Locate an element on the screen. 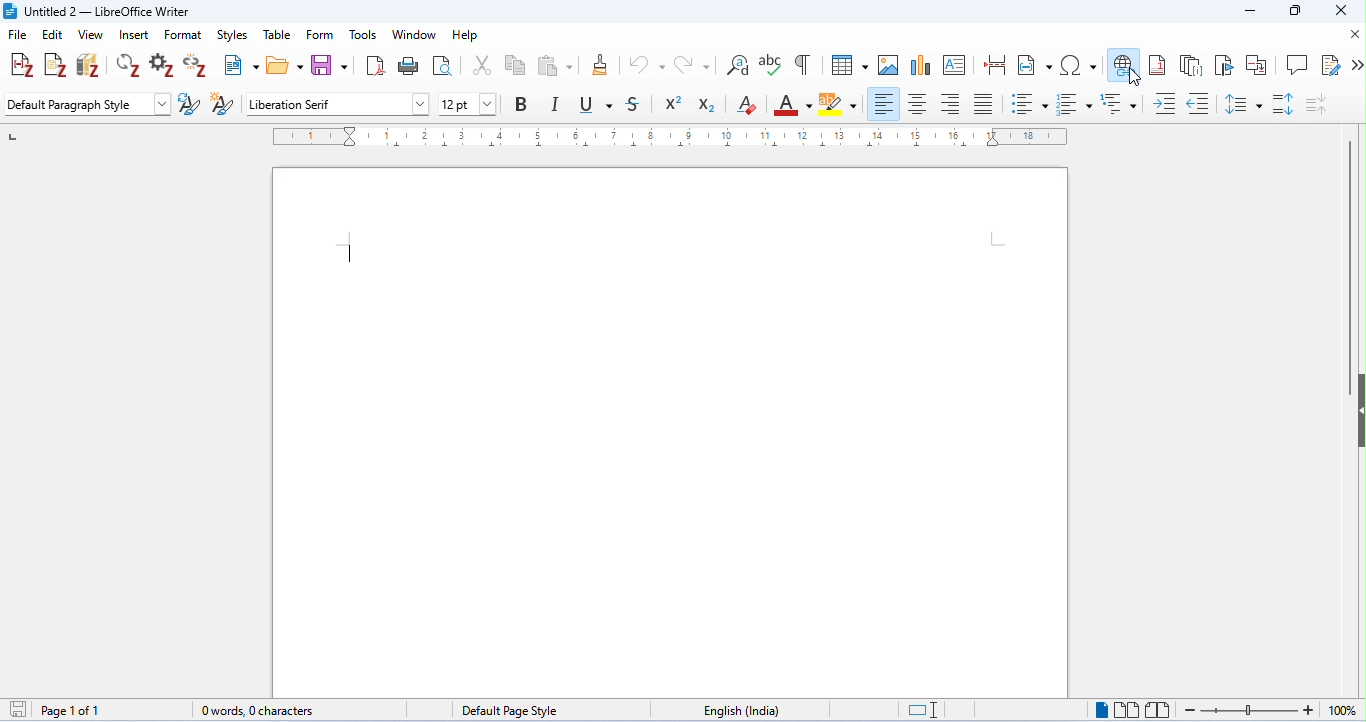 This screenshot has width=1366, height=722. insert cross reference is located at coordinates (1258, 65).